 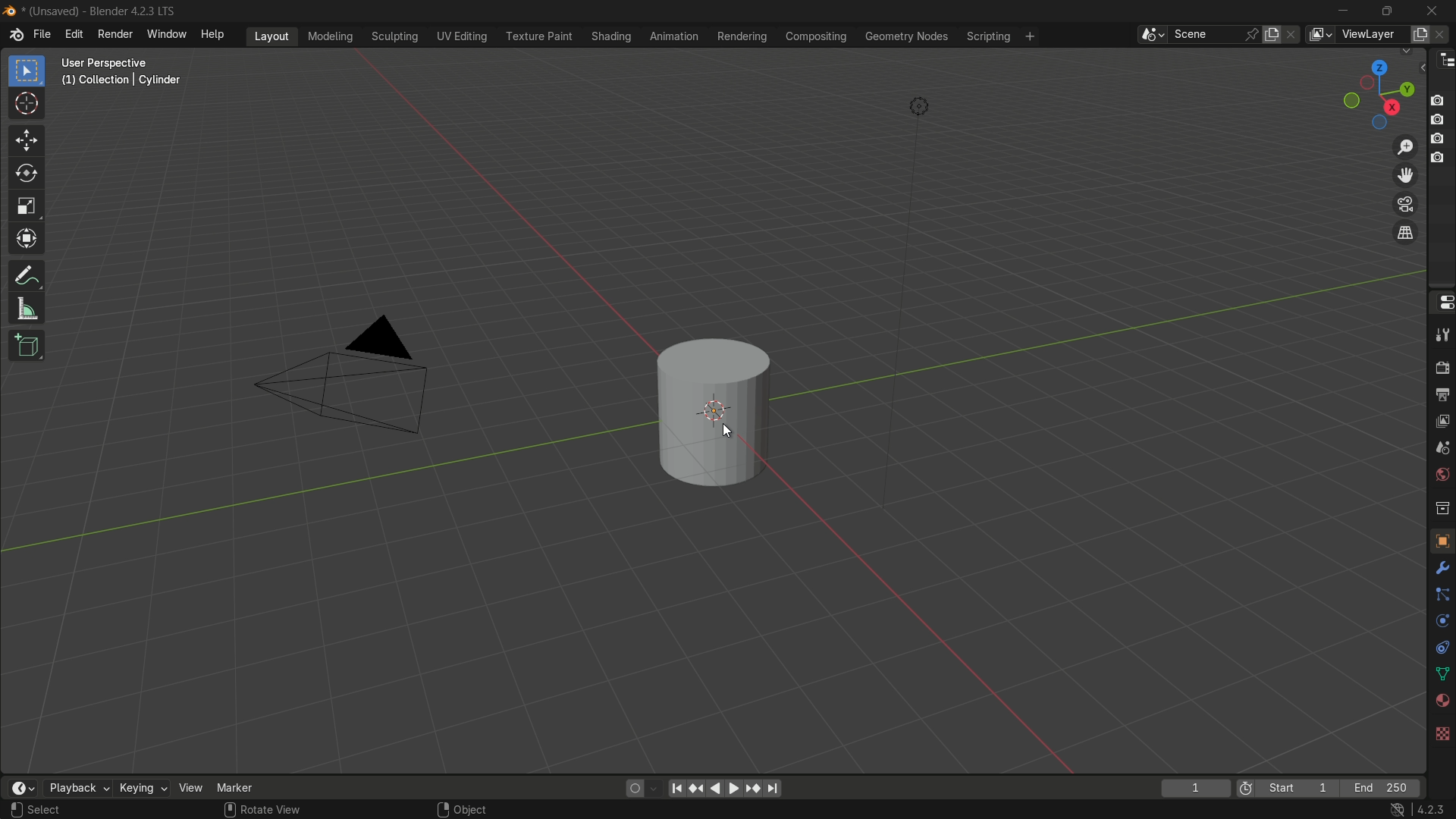 I want to click on sculpting, so click(x=395, y=36).